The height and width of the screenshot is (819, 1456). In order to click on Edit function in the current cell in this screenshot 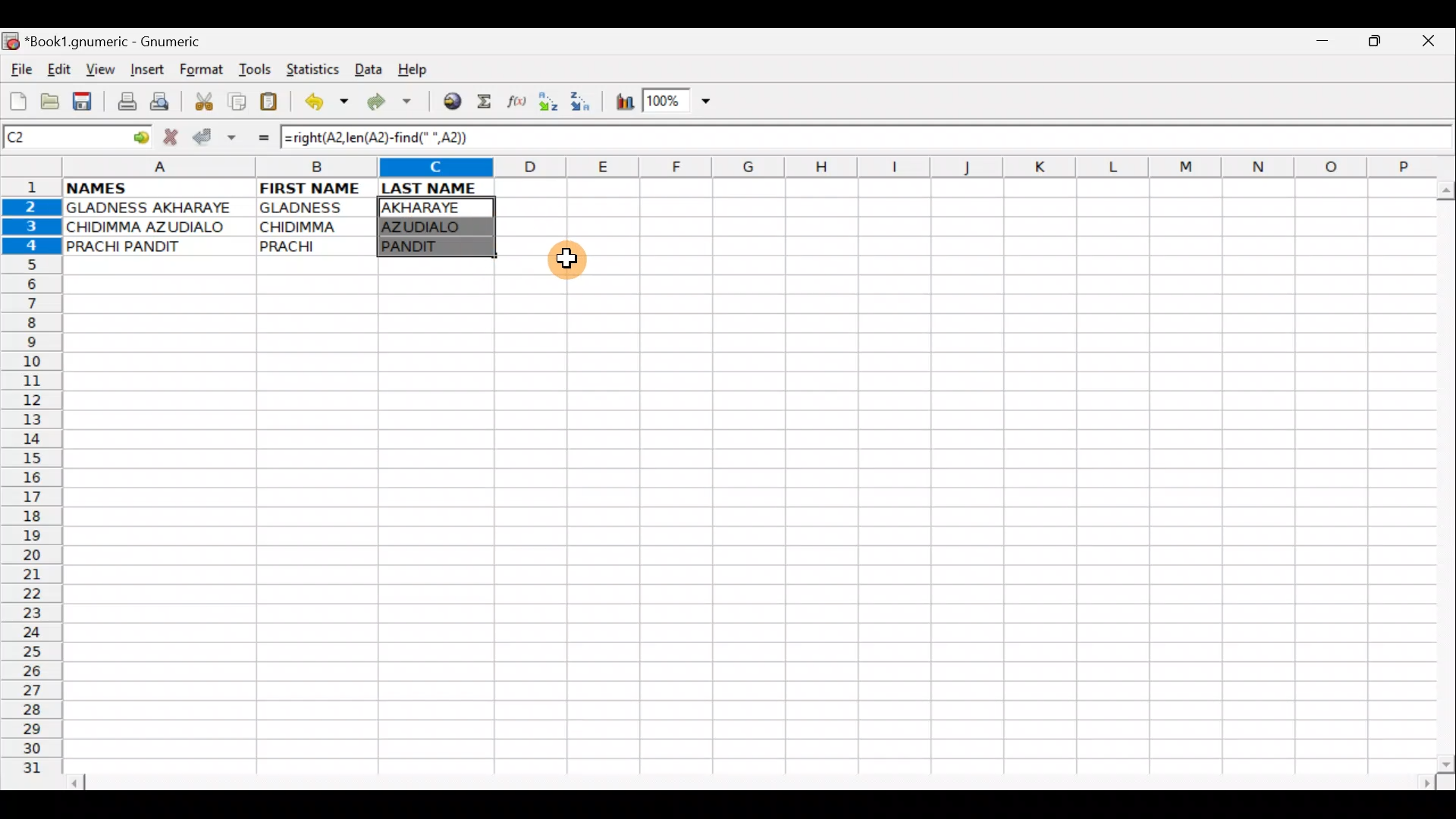, I will do `click(519, 105)`.